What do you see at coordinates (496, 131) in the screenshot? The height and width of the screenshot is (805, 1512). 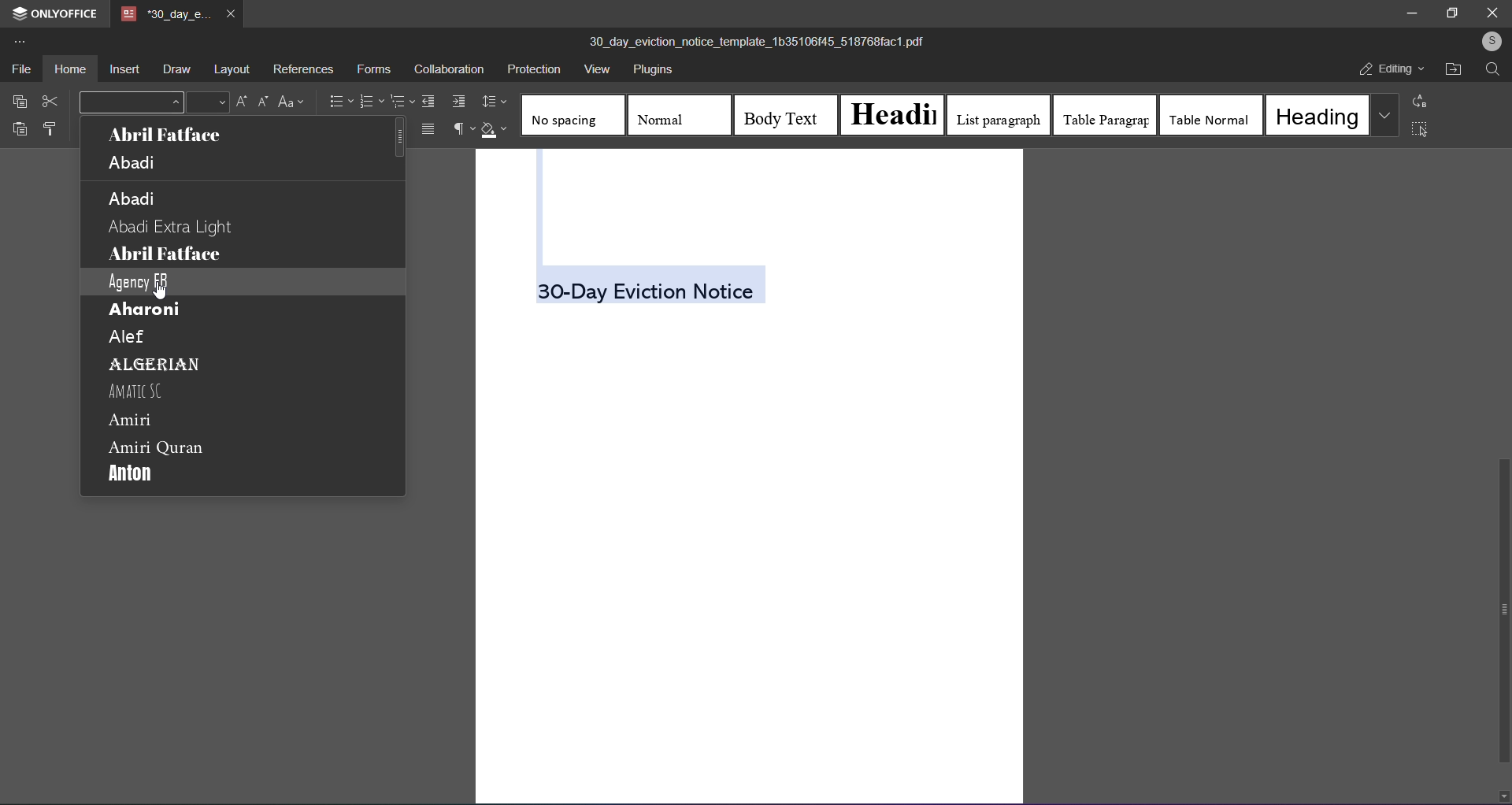 I see `shading` at bounding box center [496, 131].